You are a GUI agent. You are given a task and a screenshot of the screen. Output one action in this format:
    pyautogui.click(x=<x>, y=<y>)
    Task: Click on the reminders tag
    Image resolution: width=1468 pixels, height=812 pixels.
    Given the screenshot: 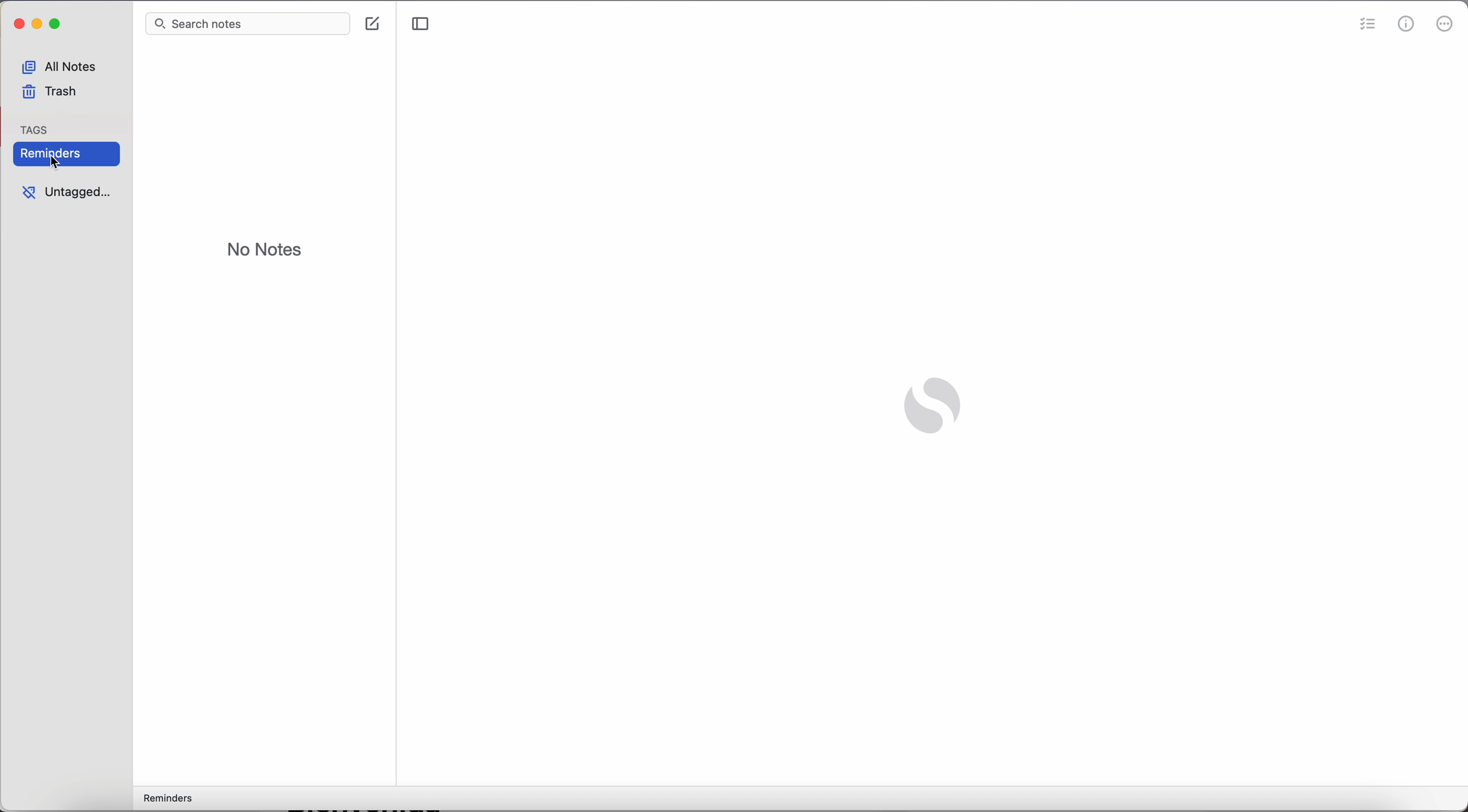 What is the action you would take?
    pyautogui.click(x=92, y=154)
    